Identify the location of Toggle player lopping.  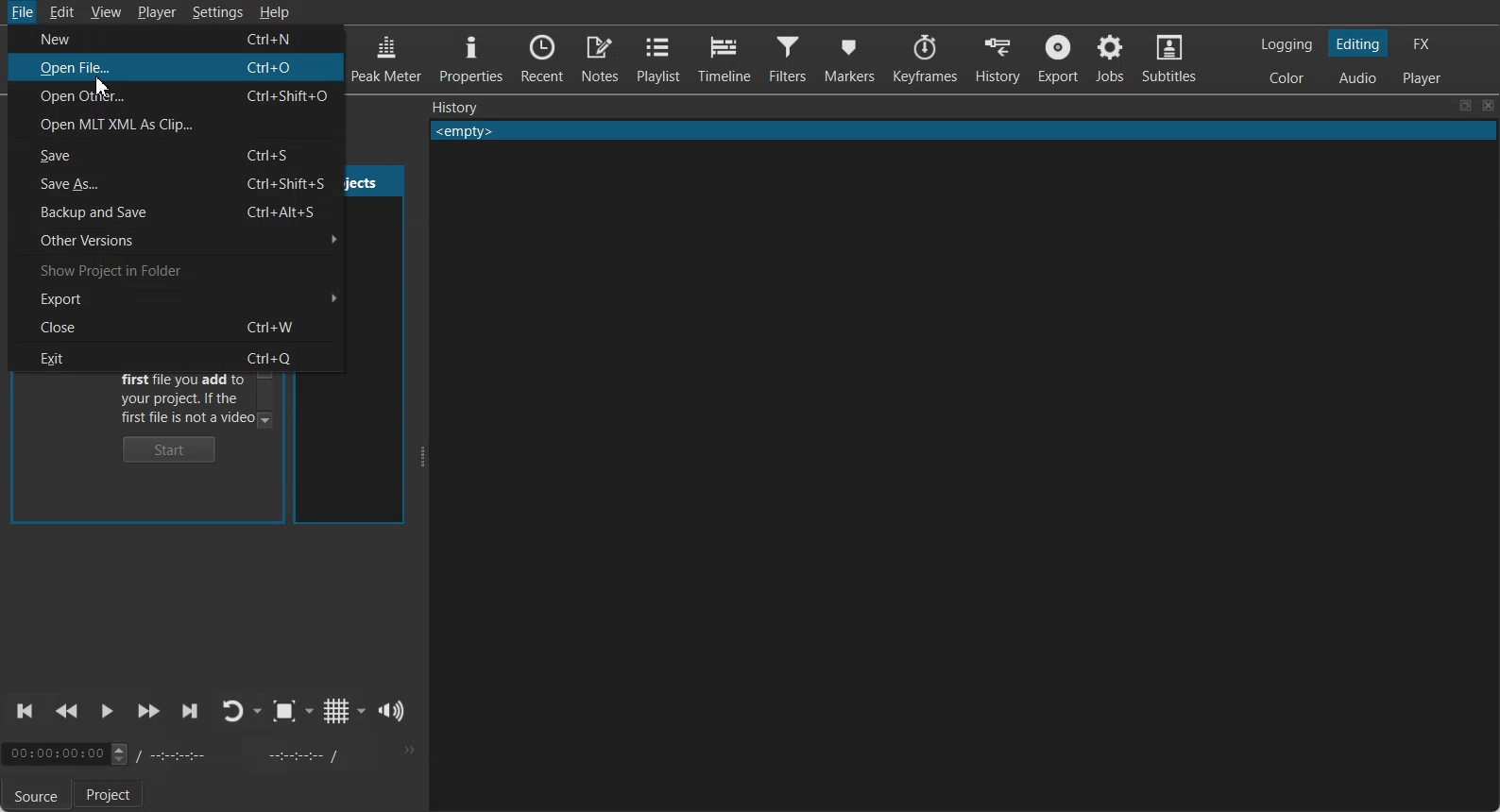
(233, 711).